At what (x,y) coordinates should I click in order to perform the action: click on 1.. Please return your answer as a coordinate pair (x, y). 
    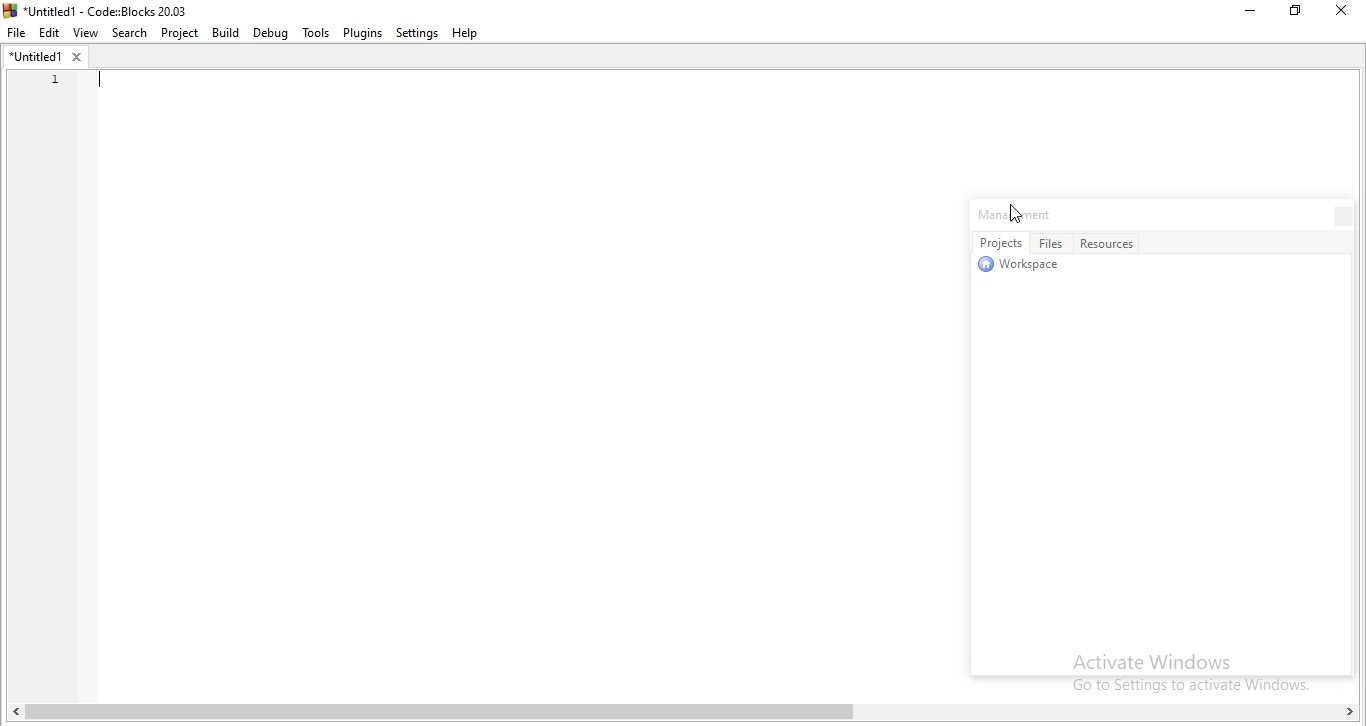
    Looking at the image, I should click on (49, 79).